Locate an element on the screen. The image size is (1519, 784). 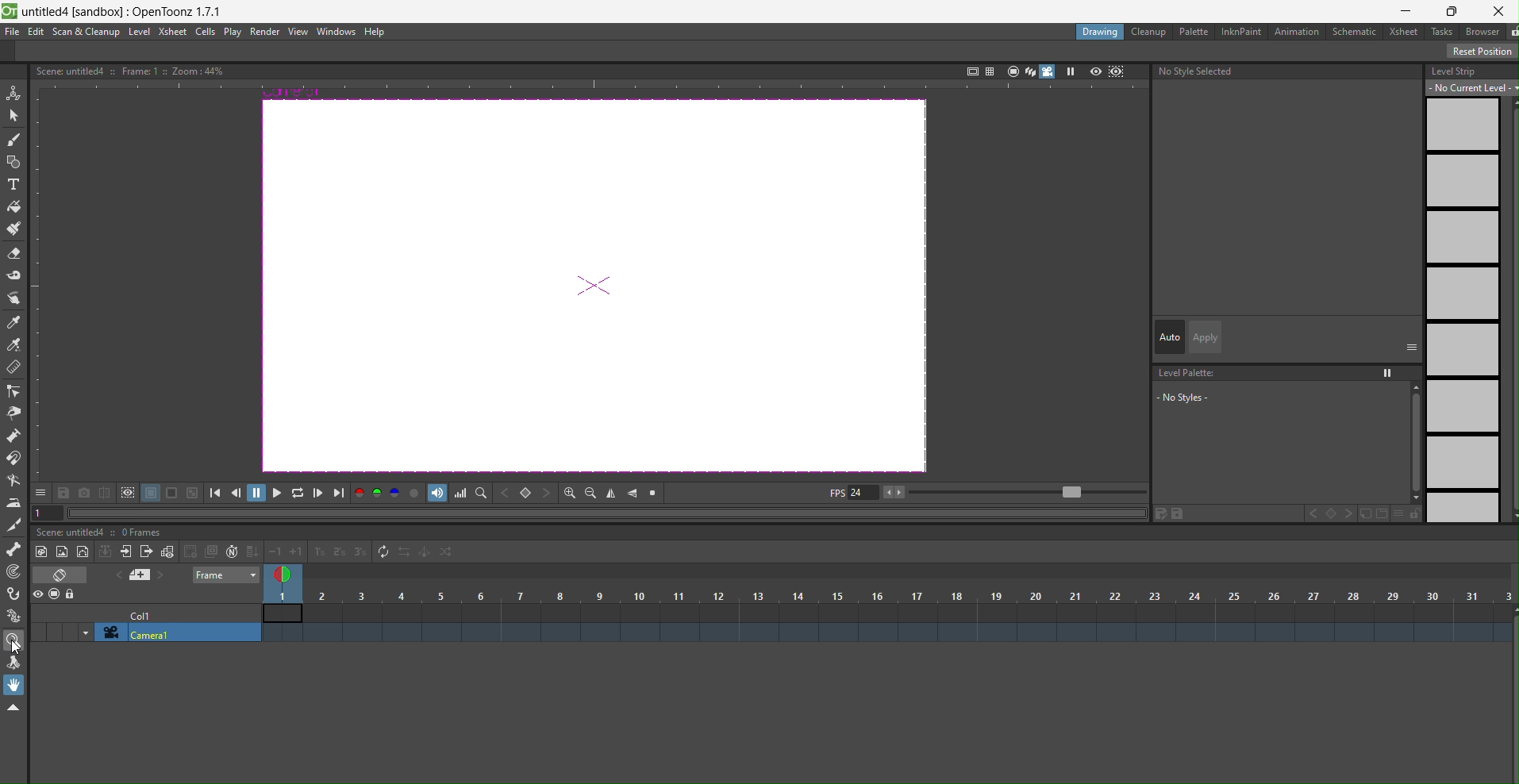
next sub xsheey is located at coordinates (147, 553).